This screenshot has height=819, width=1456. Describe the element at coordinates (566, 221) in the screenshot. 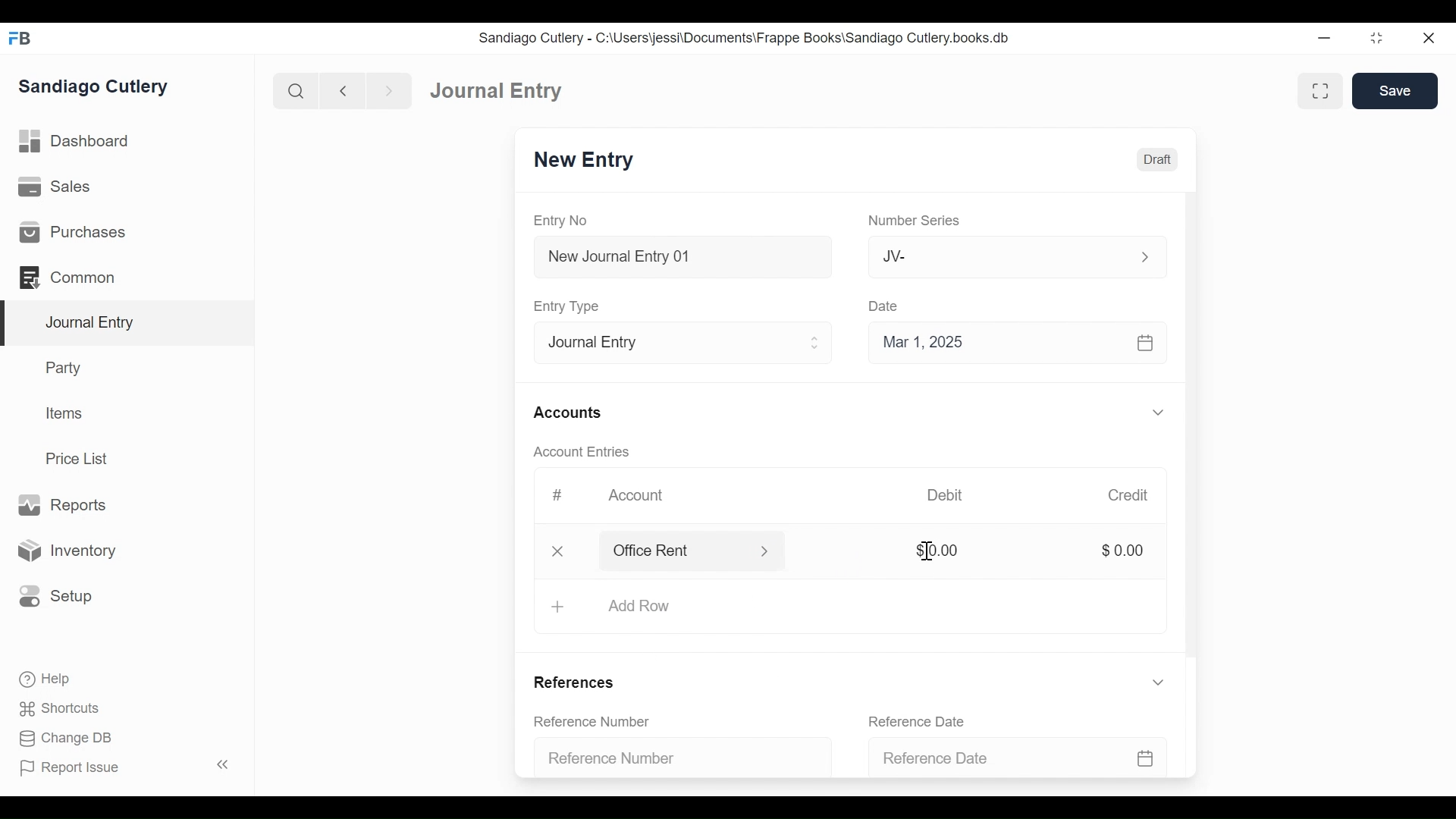

I see `Entry No` at that location.